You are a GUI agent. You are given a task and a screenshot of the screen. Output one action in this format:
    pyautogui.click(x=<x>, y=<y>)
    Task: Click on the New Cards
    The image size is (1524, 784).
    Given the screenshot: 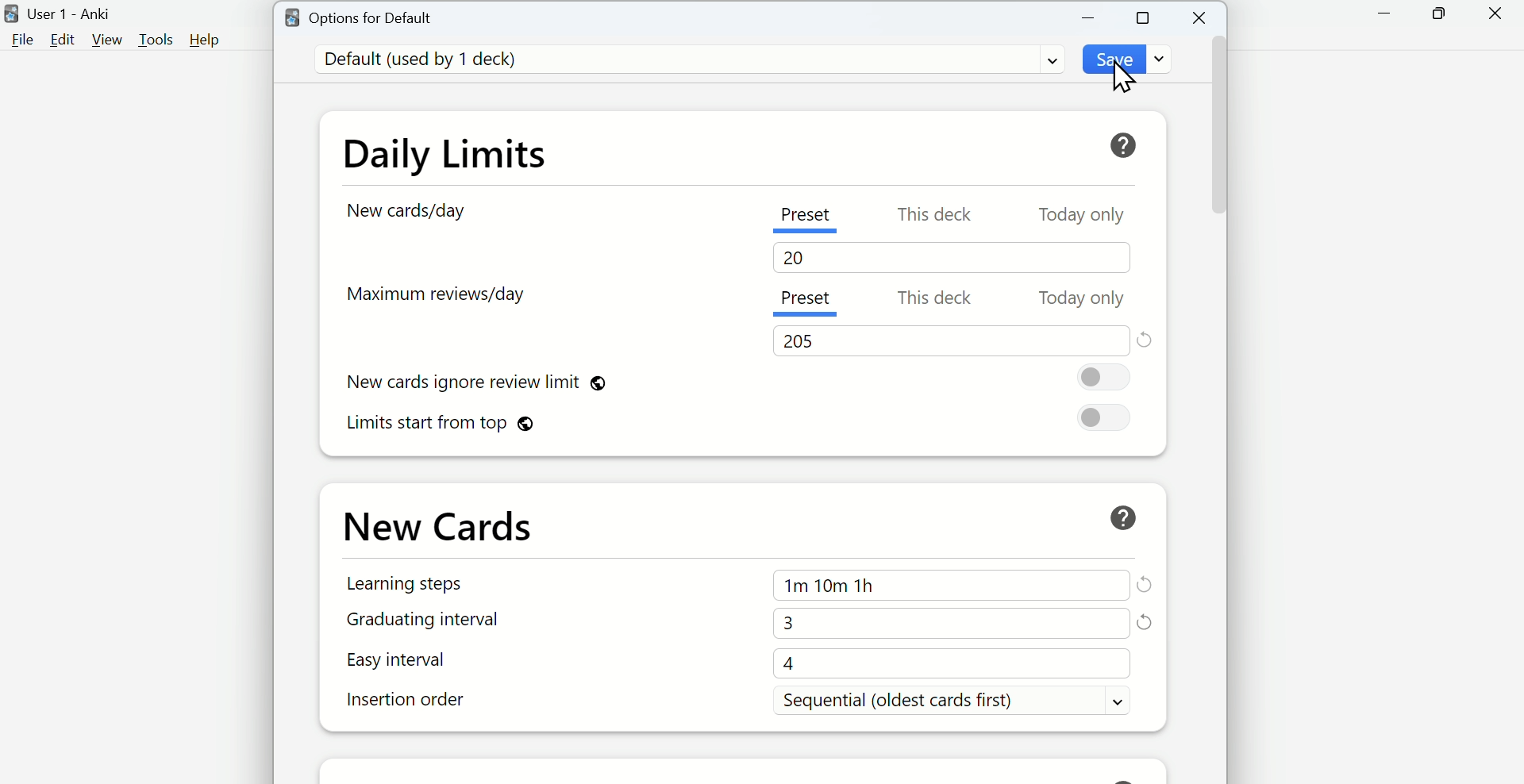 What is the action you would take?
    pyautogui.click(x=453, y=523)
    